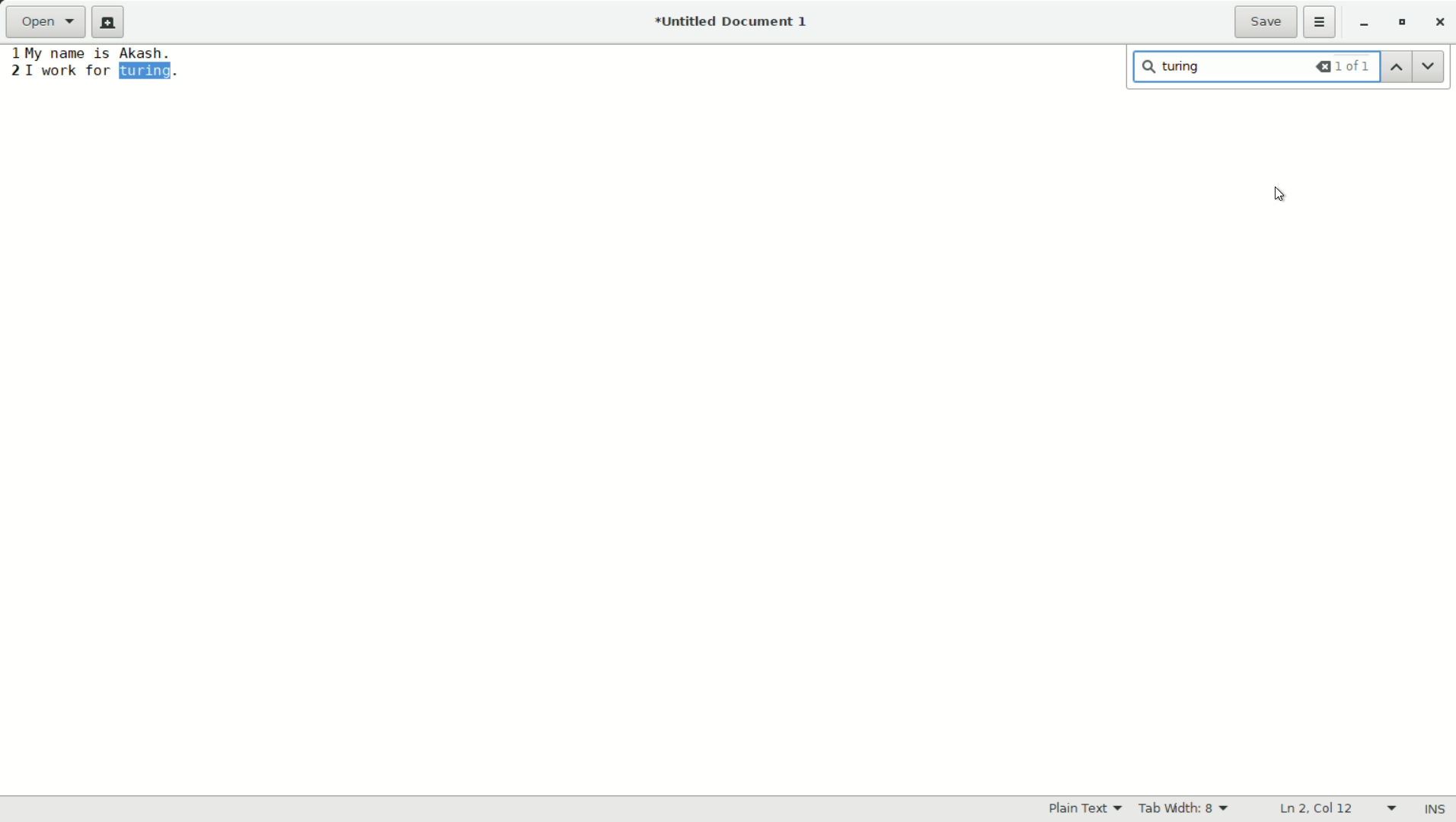 The width and height of the screenshot is (1456, 822). I want to click on line and columns, so click(1339, 808).